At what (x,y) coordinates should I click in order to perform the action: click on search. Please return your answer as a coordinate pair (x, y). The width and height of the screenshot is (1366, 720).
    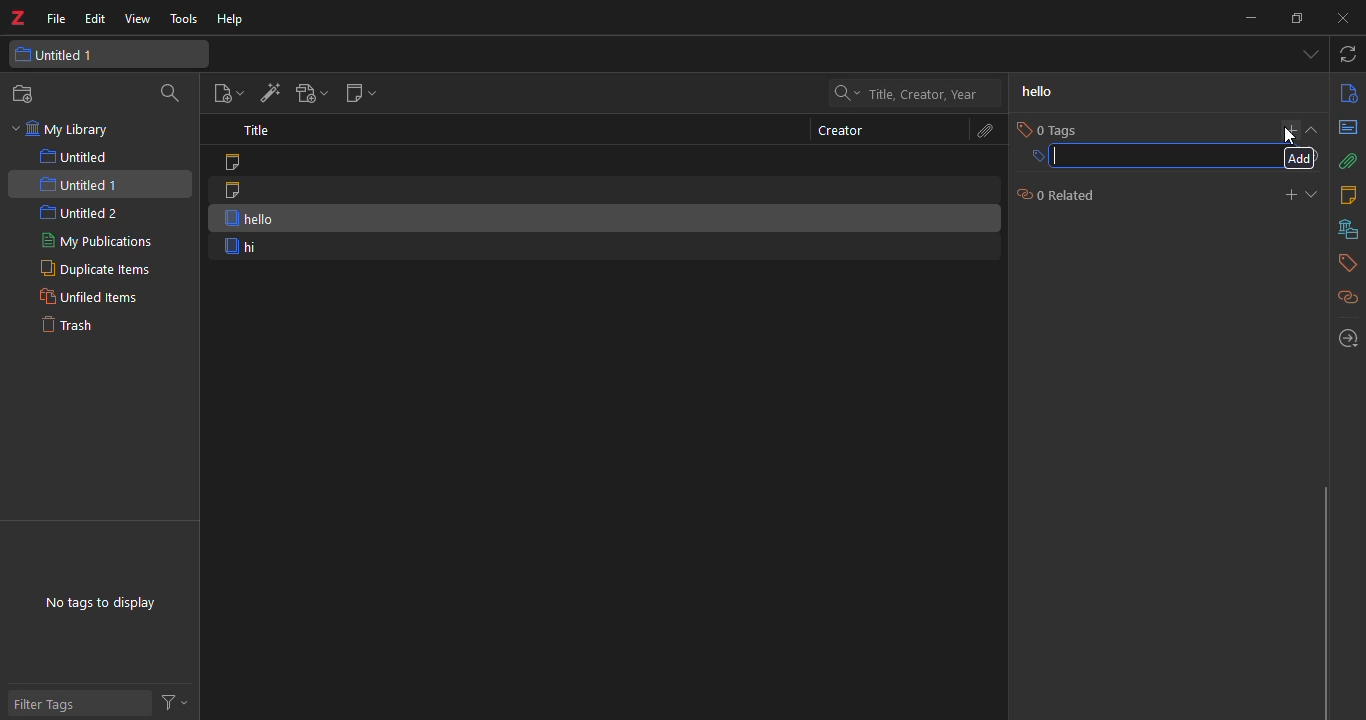
    Looking at the image, I should click on (172, 94).